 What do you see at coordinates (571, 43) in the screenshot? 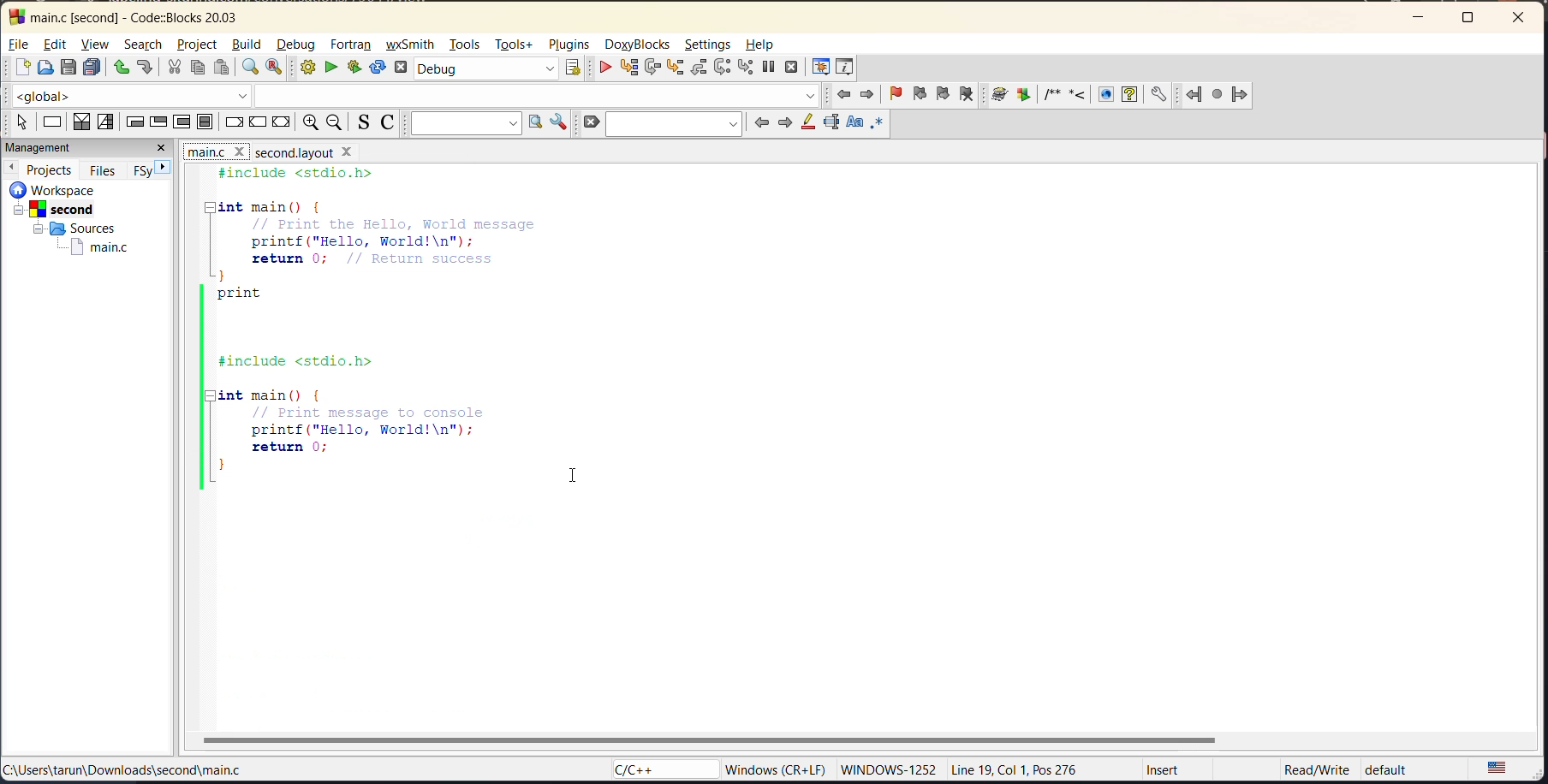
I see `plugins` at bounding box center [571, 43].